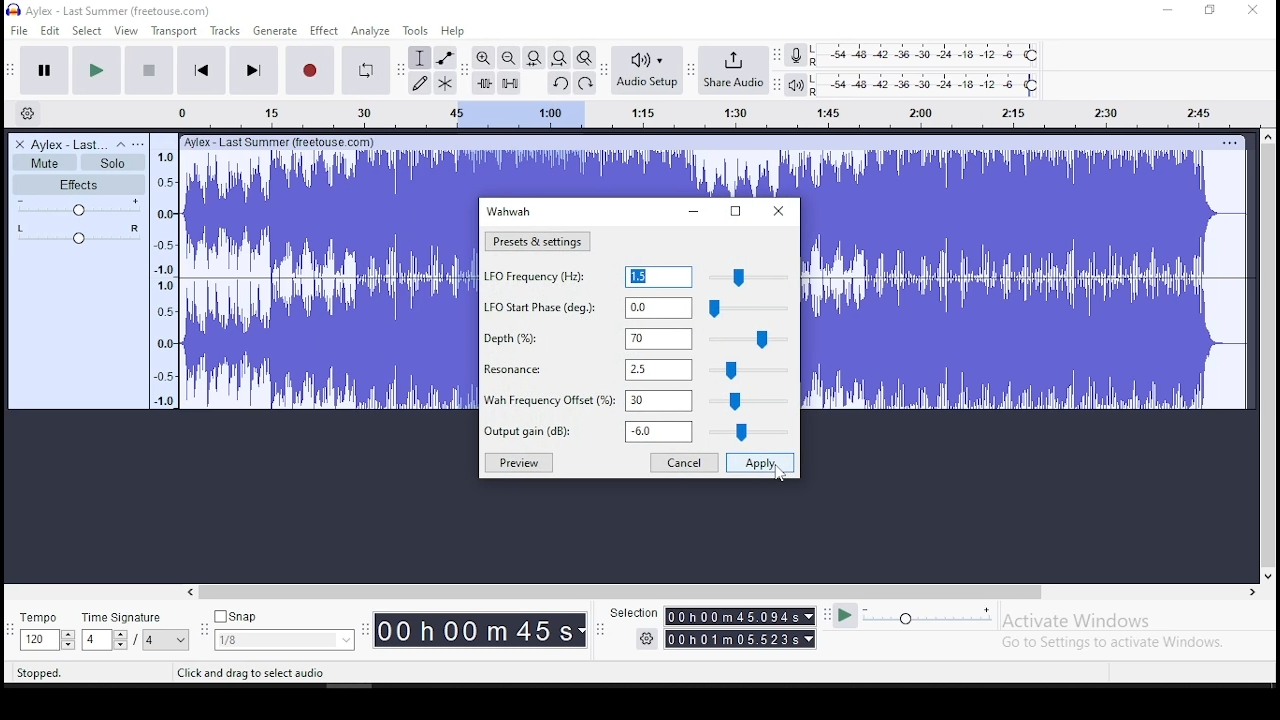 The width and height of the screenshot is (1280, 720). Describe the element at coordinates (748, 370) in the screenshot. I see `resonance slider` at that location.